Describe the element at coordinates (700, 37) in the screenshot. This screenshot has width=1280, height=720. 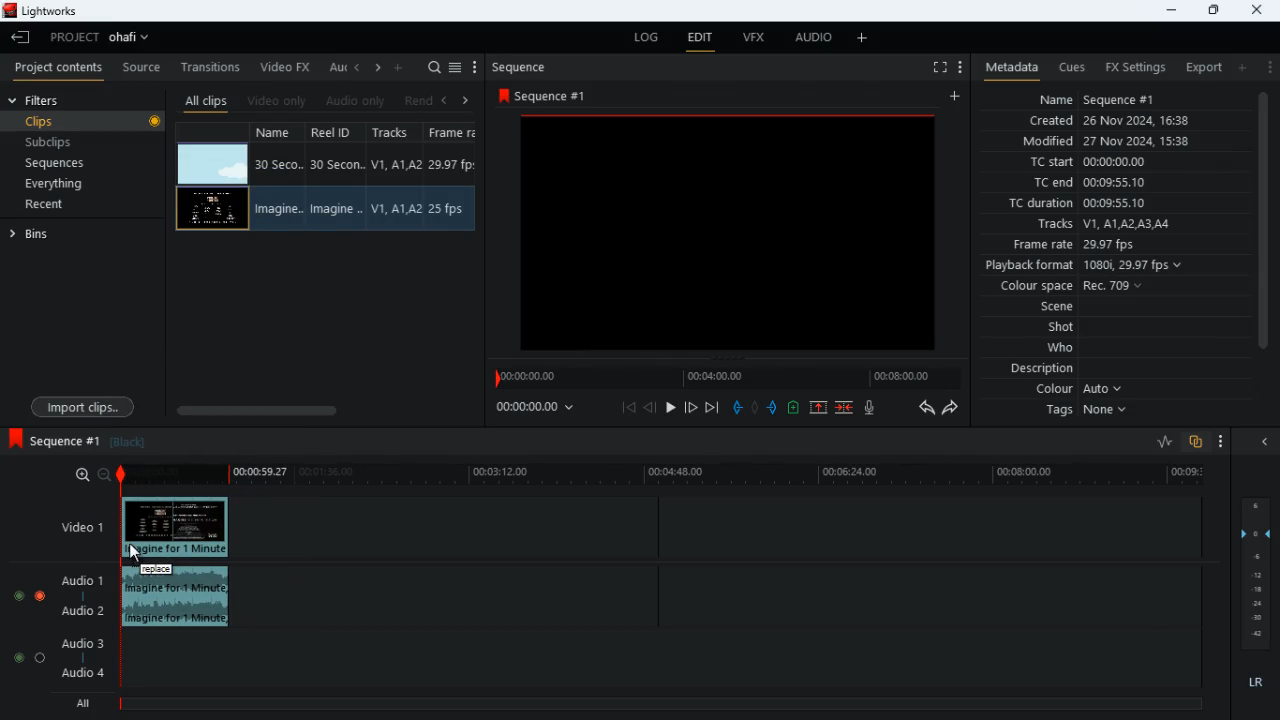
I see `edit` at that location.